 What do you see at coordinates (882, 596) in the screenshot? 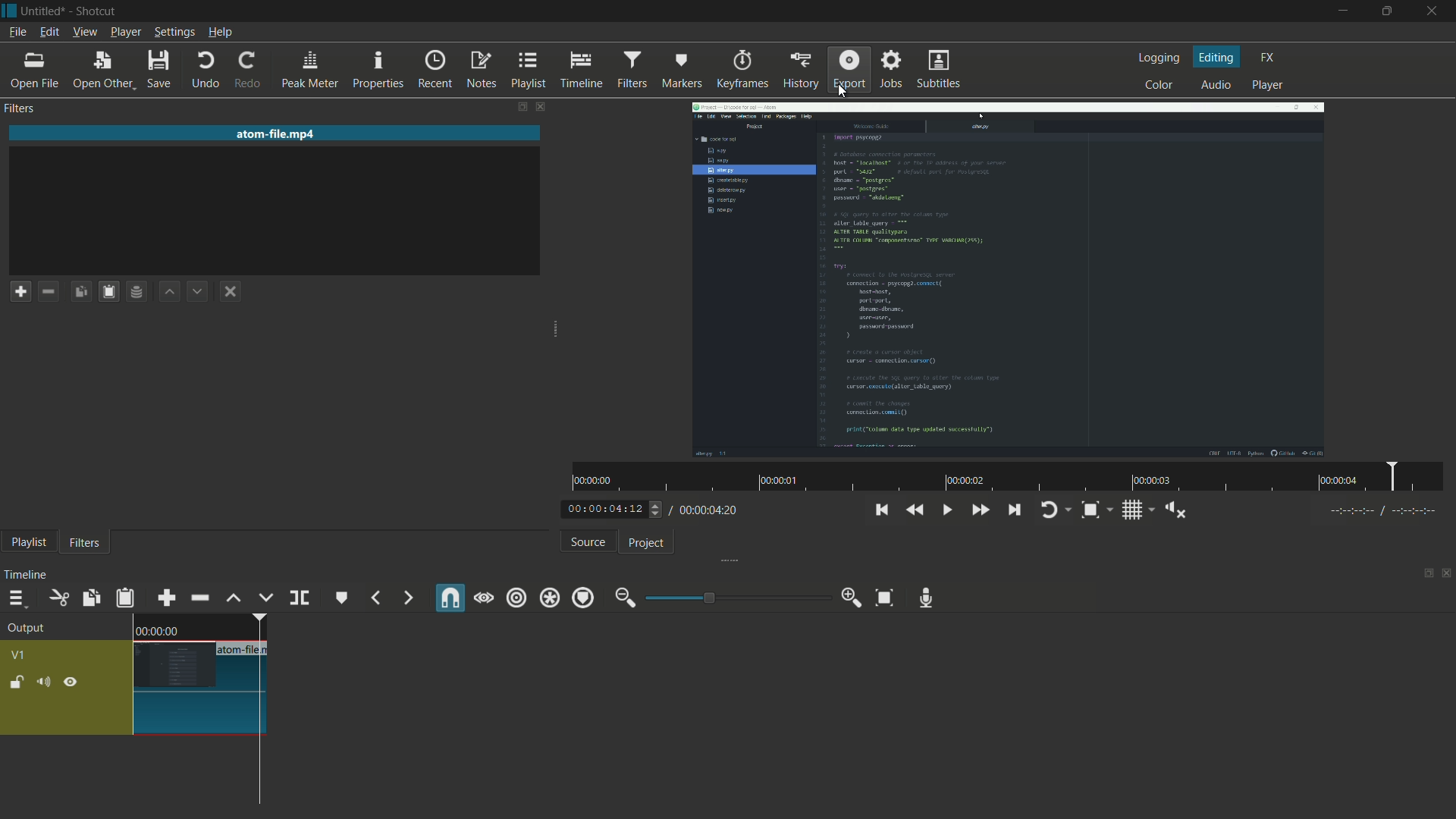
I see `zoom timeline to fit` at bounding box center [882, 596].